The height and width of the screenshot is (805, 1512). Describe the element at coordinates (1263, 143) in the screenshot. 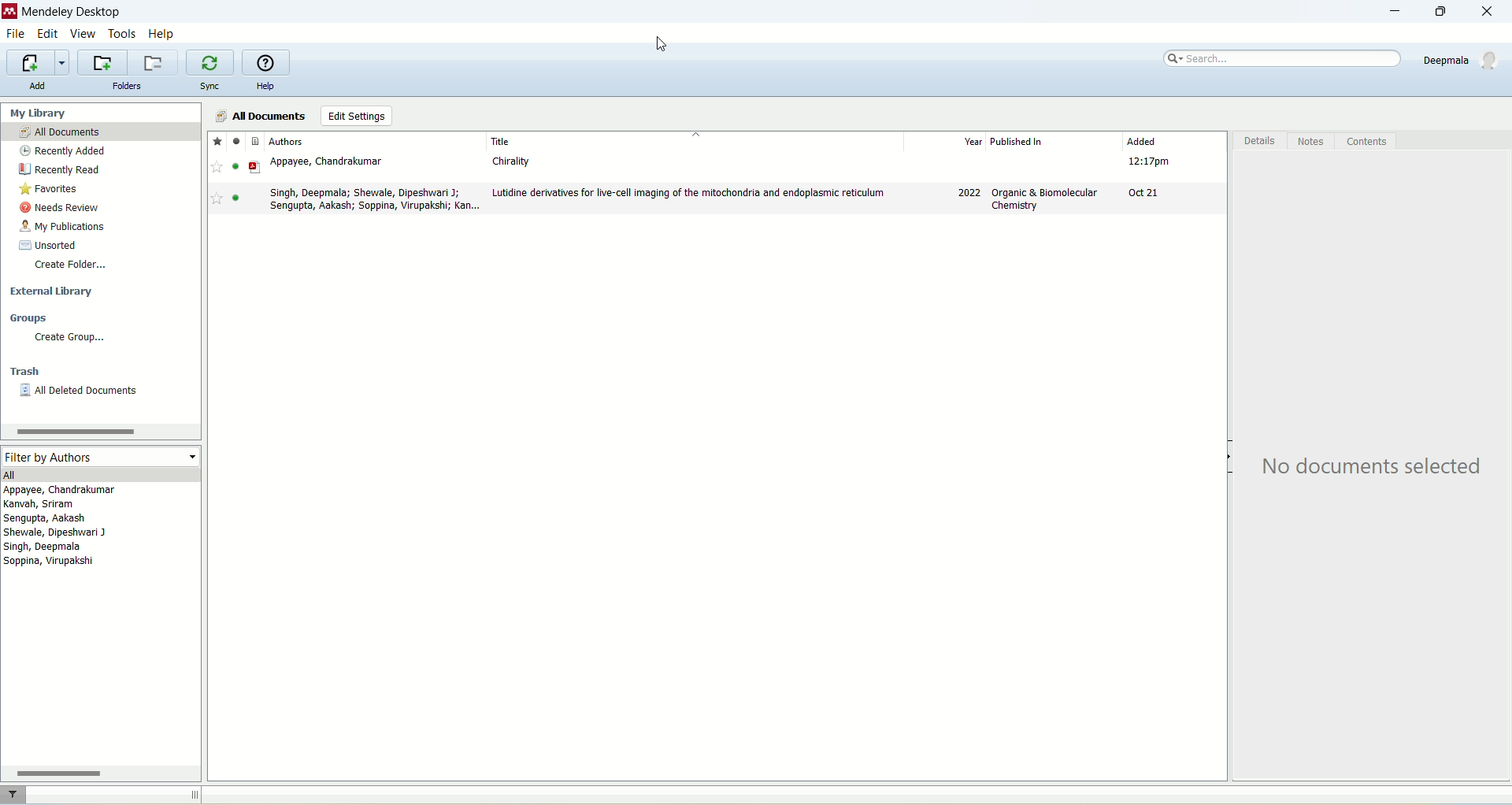

I see `details` at that location.